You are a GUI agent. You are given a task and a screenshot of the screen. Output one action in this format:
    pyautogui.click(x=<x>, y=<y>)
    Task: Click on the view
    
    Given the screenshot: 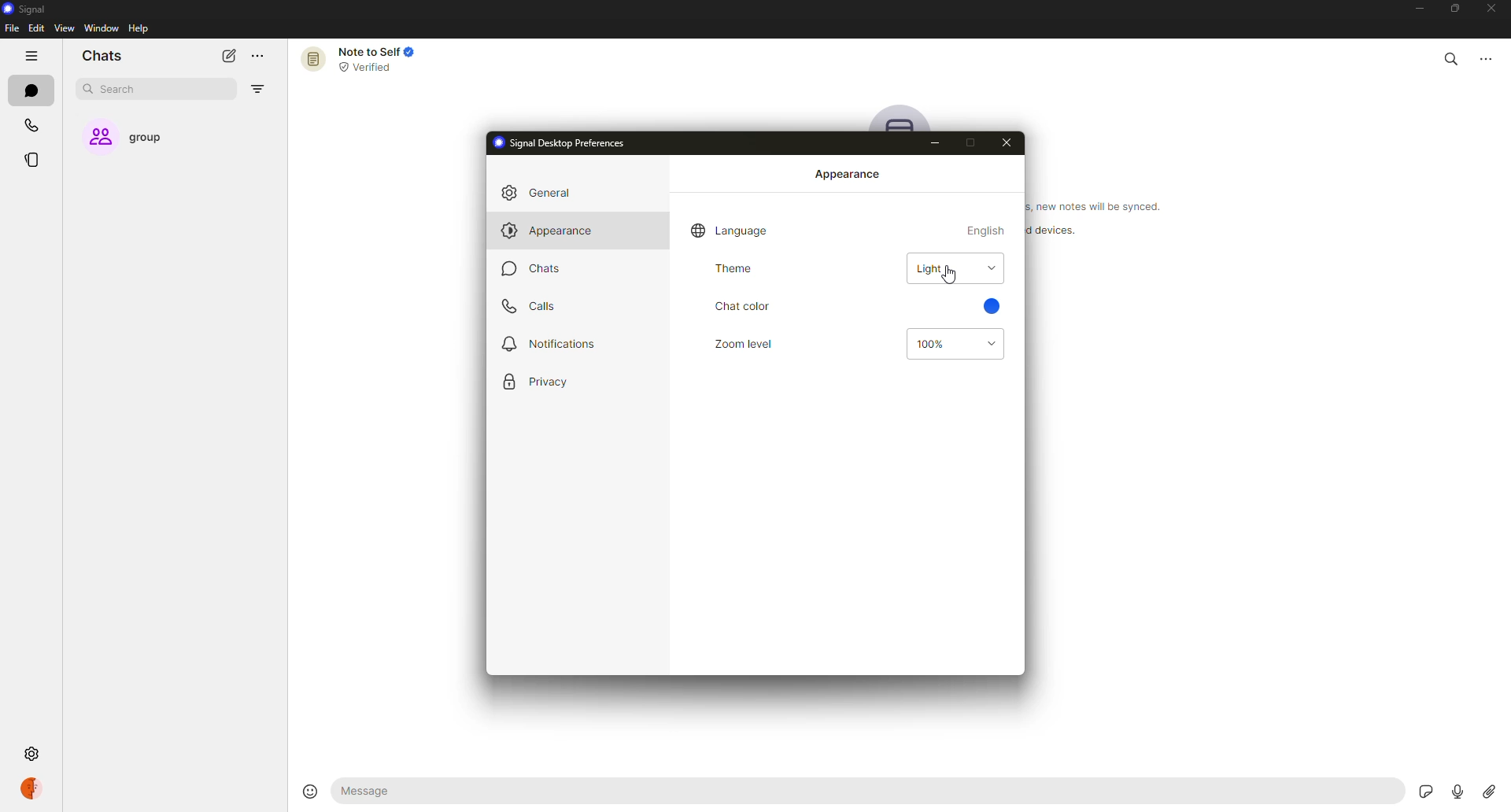 What is the action you would take?
    pyautogui.click(x=64, y=28)
    